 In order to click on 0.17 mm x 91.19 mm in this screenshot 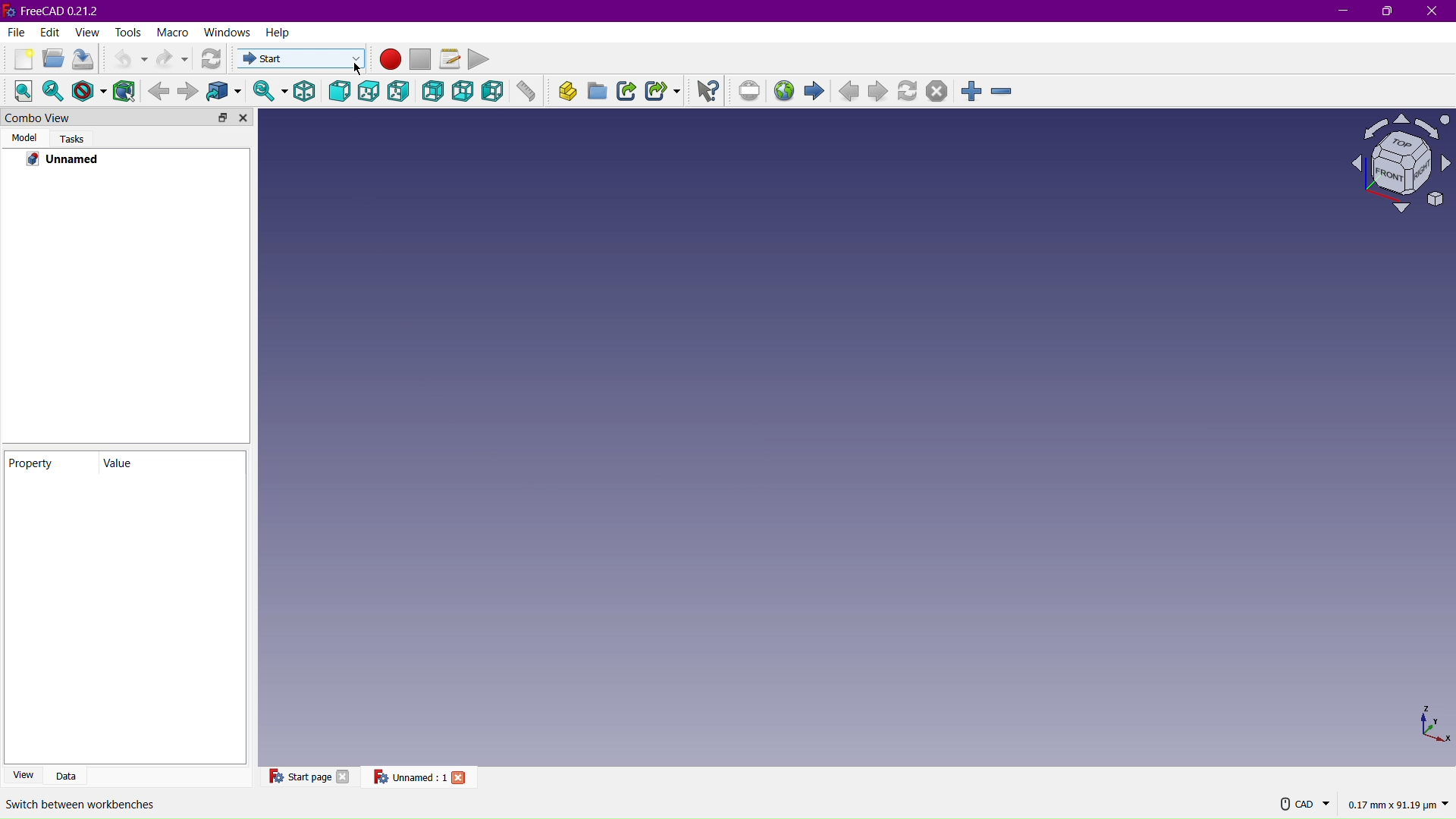, I will do `click(1398, 805)`.